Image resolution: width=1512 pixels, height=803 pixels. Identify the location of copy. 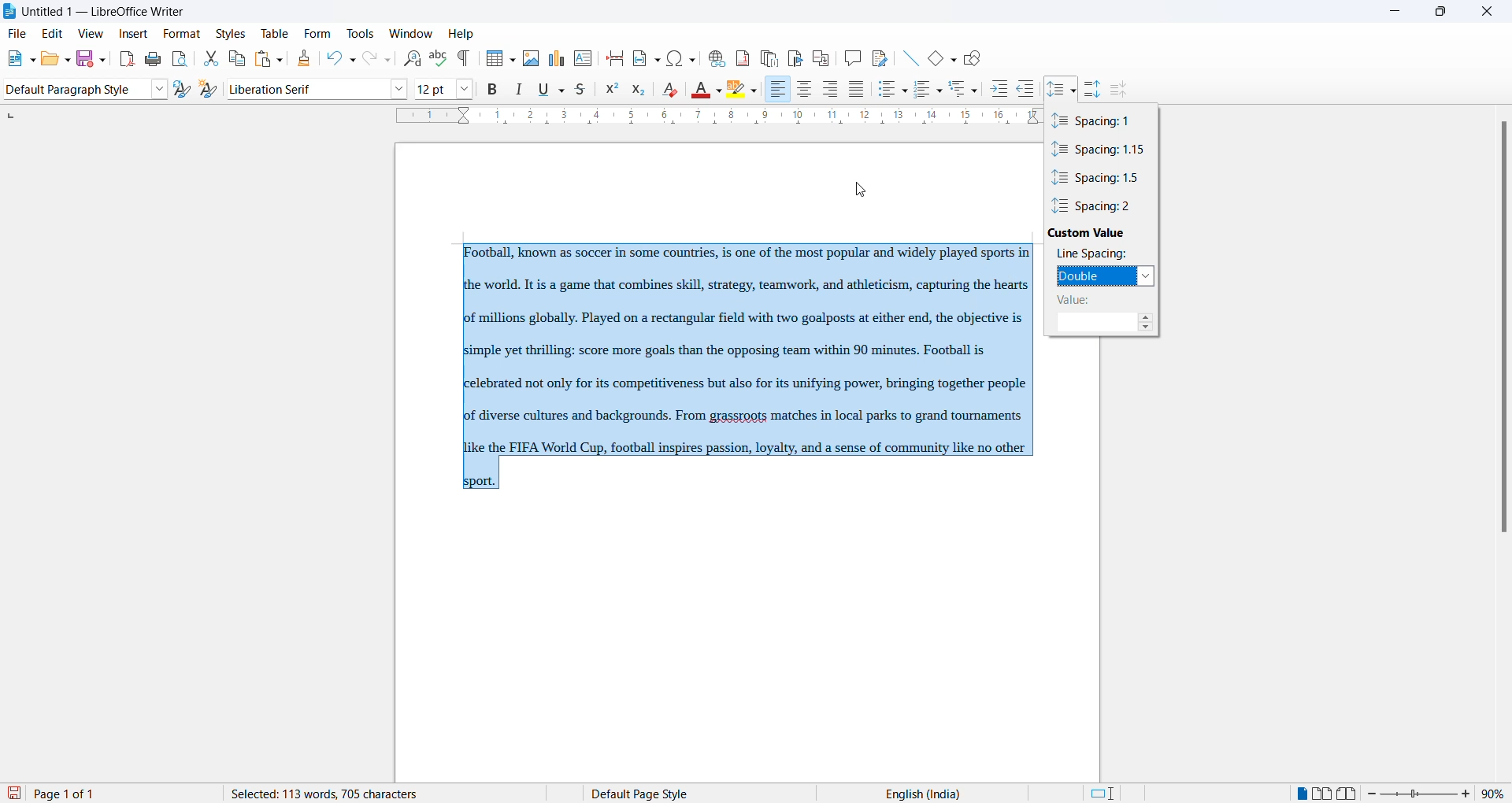
(237, 59).